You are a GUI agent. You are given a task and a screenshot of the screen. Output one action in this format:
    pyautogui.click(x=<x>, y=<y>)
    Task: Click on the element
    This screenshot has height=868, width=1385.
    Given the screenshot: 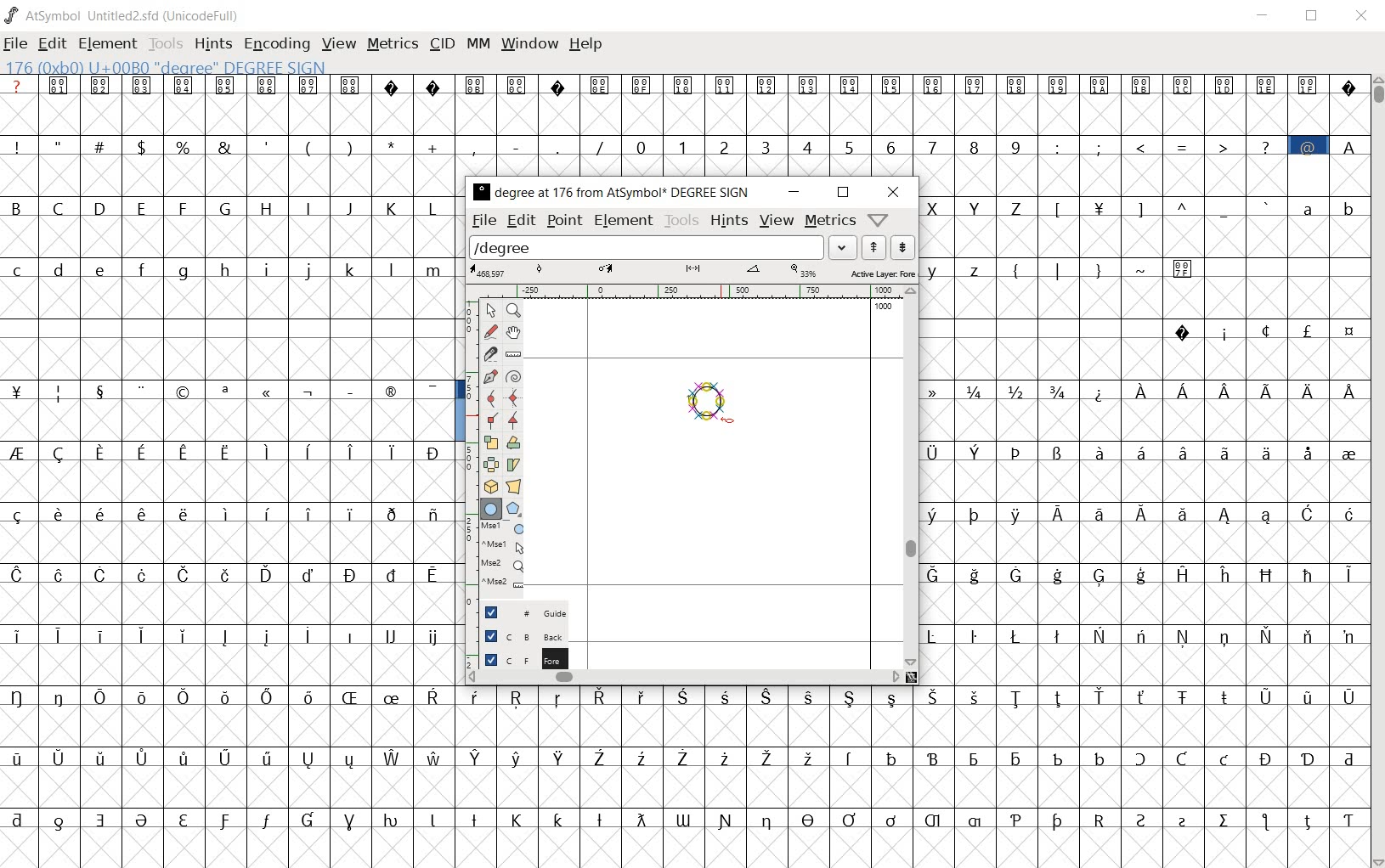 What is the action you would take?
    pyautogui.click(x=108, y=43)
    